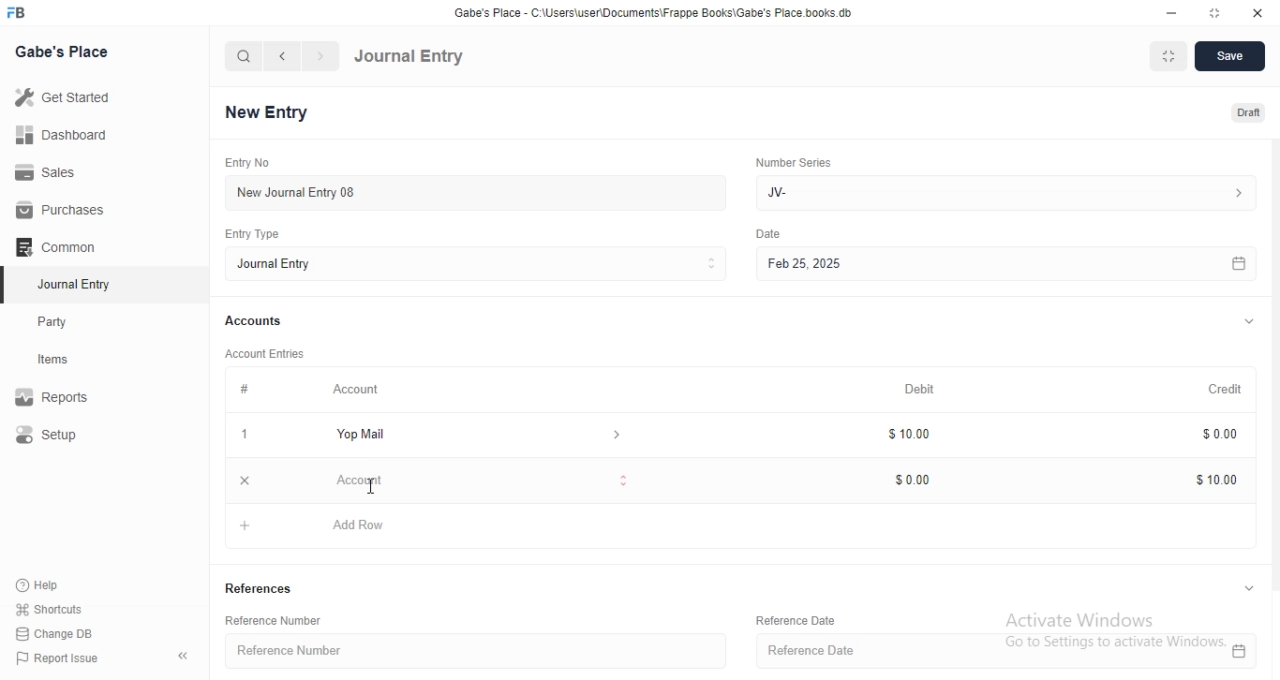 This screenshot has height=680, width=1280. What do you see at coordinates (8, 286) in the screenshot?
I see `selected` at bounding box center [8, 286].